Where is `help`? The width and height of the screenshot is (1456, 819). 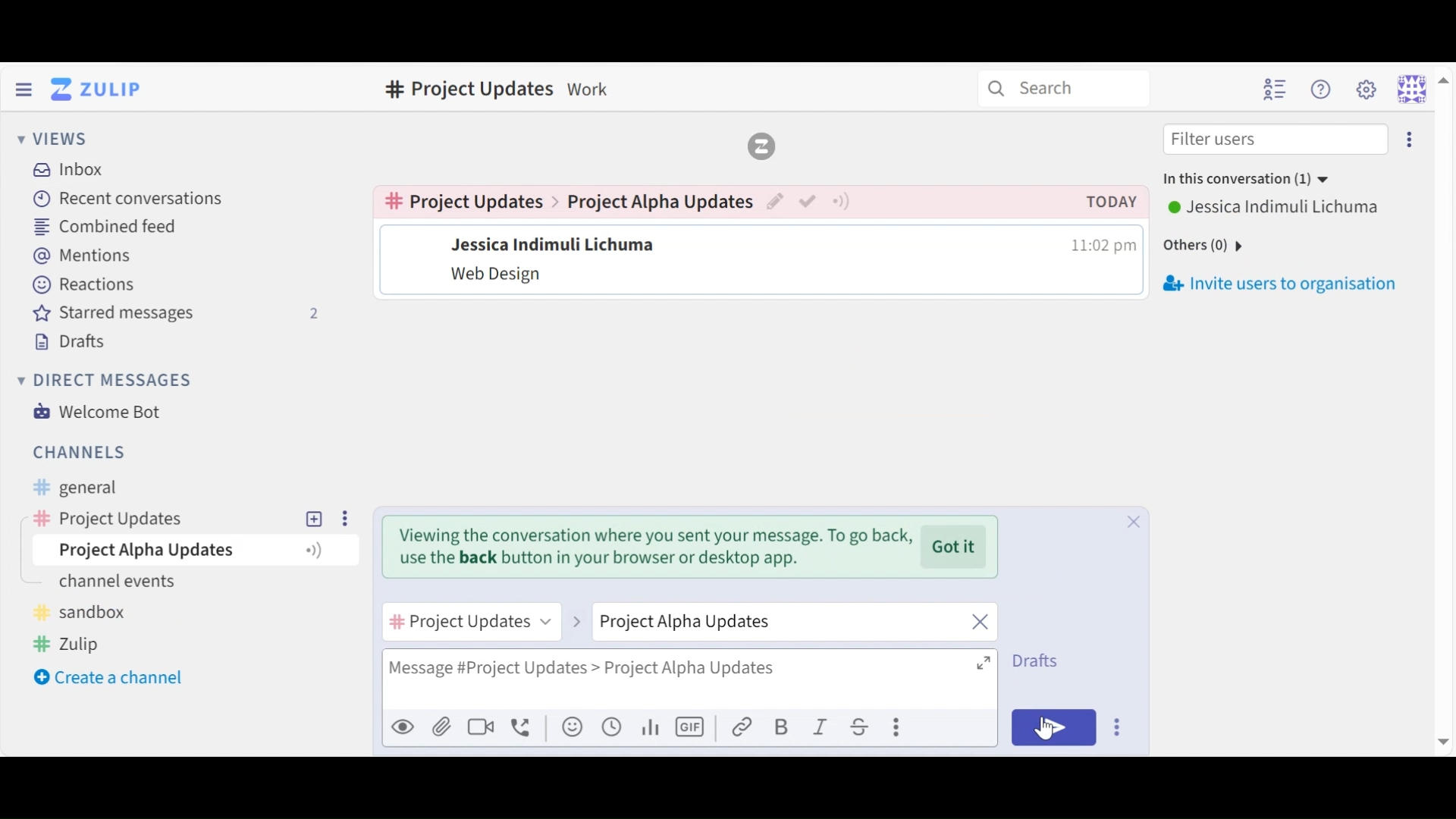
help is located at coordinates (908, 90).